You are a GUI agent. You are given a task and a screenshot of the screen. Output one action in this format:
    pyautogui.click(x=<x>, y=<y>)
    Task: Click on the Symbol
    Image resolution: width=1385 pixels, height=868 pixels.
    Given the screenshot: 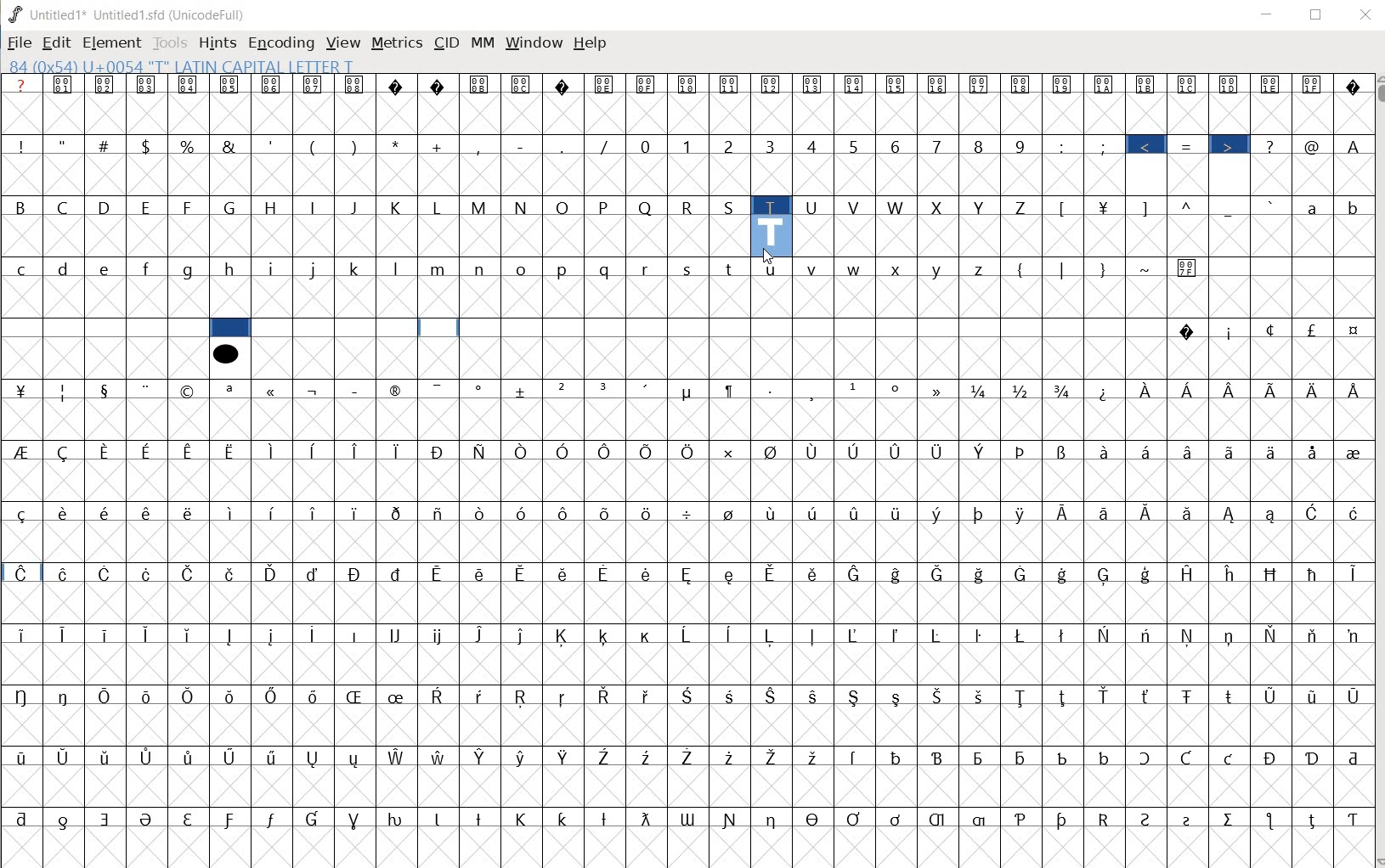 What is the action you would take?
    pyautogui.click(x=1351, y=390)
    